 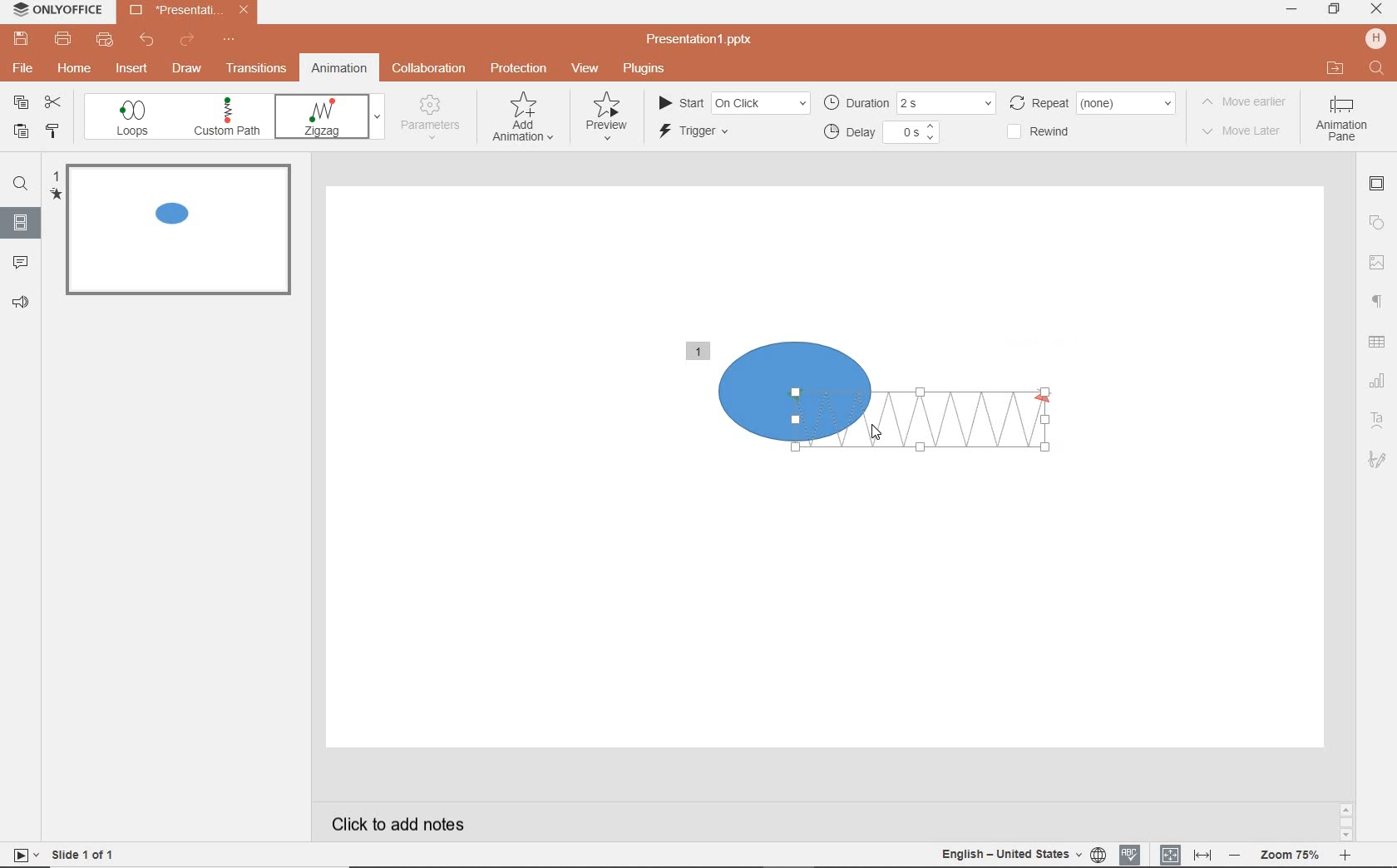 I want to click on file name, so click(x=190, y=12).